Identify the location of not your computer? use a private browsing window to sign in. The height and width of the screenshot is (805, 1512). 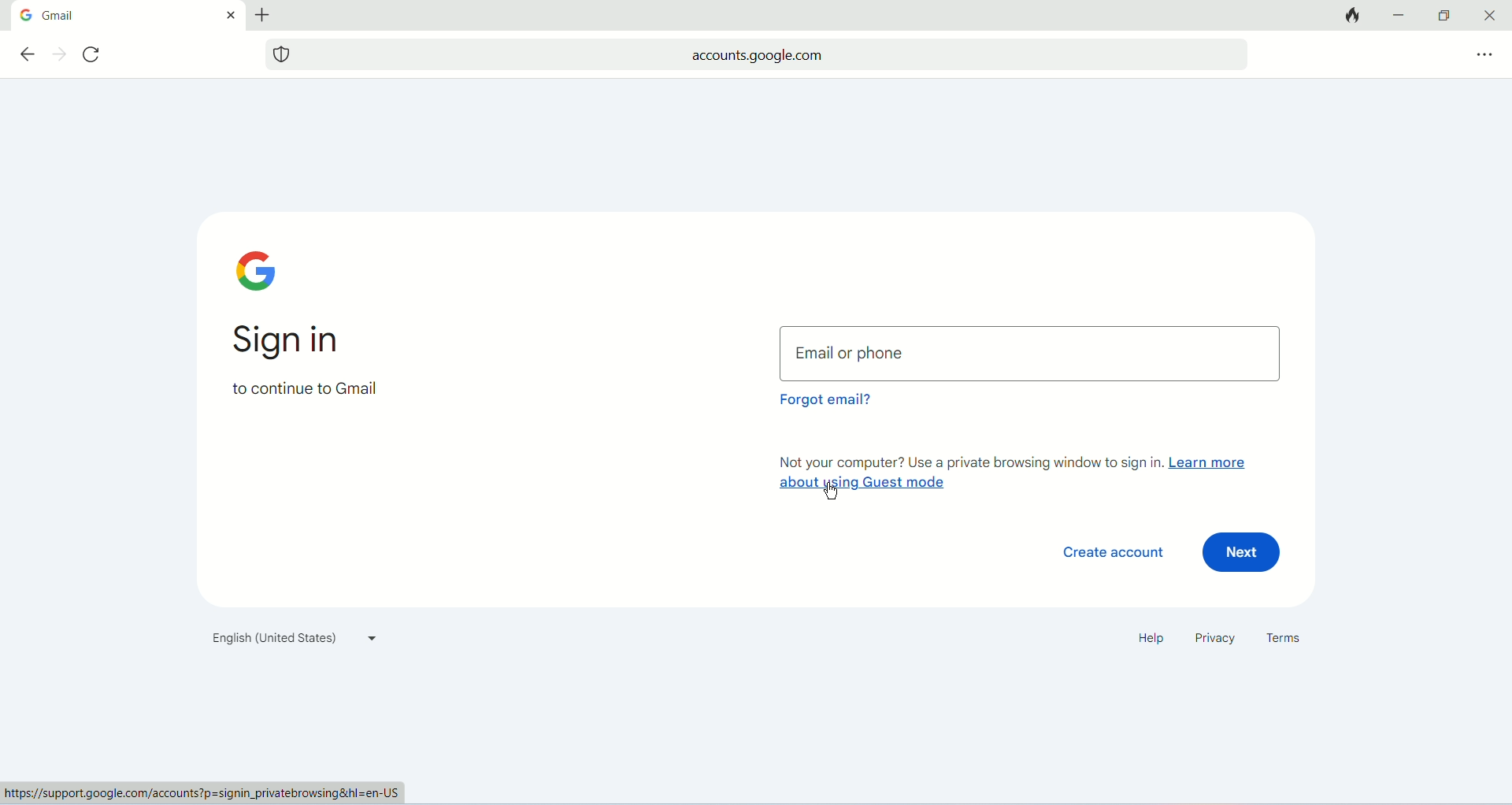
(967, 461).